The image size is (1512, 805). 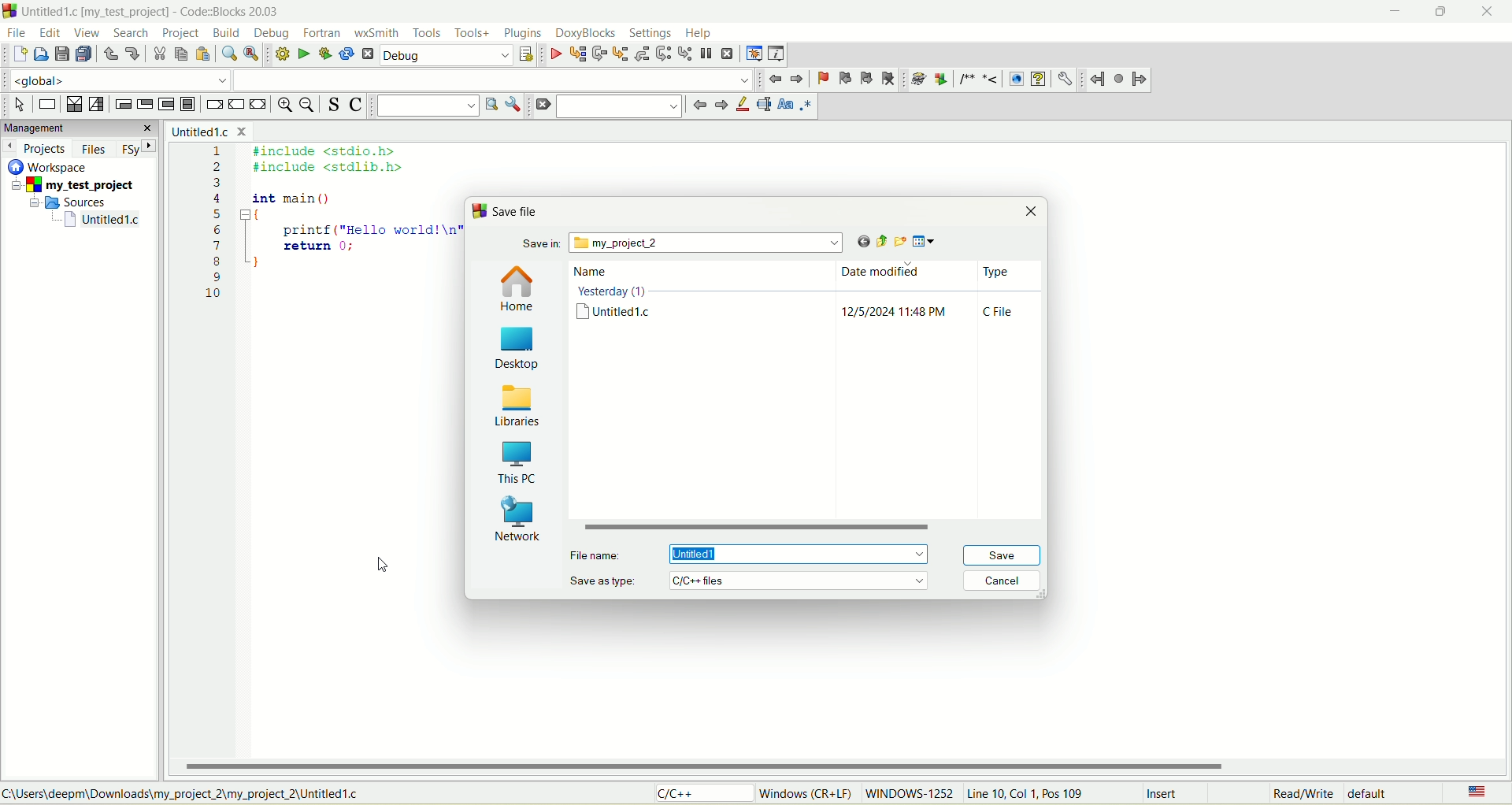 What do you see at coordinates (752, 553) in the screenshot?
I see `file name` at bounding box center [752, 553].